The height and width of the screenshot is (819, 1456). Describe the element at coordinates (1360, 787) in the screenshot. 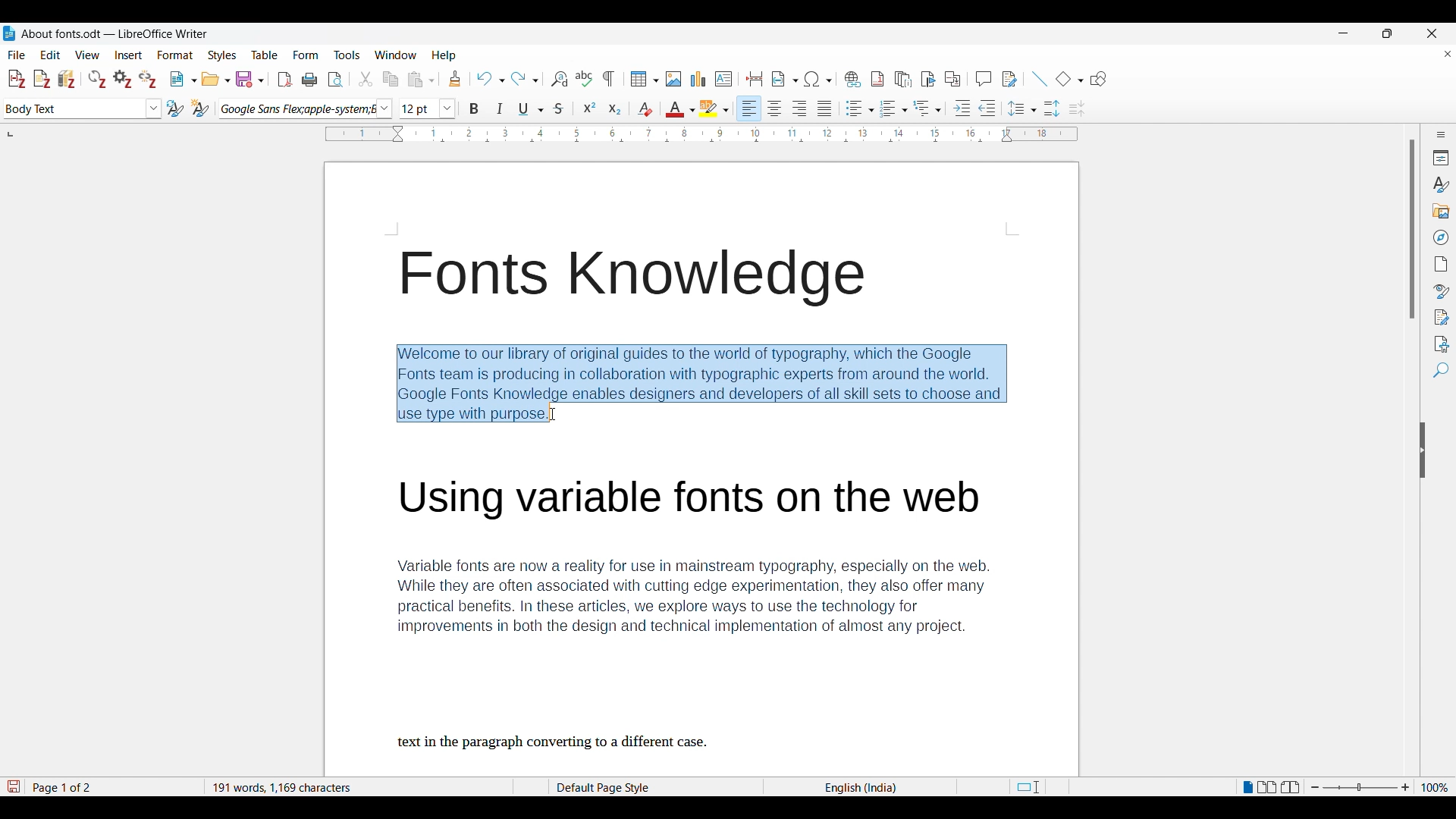

I see `Zoom slider` at that location.